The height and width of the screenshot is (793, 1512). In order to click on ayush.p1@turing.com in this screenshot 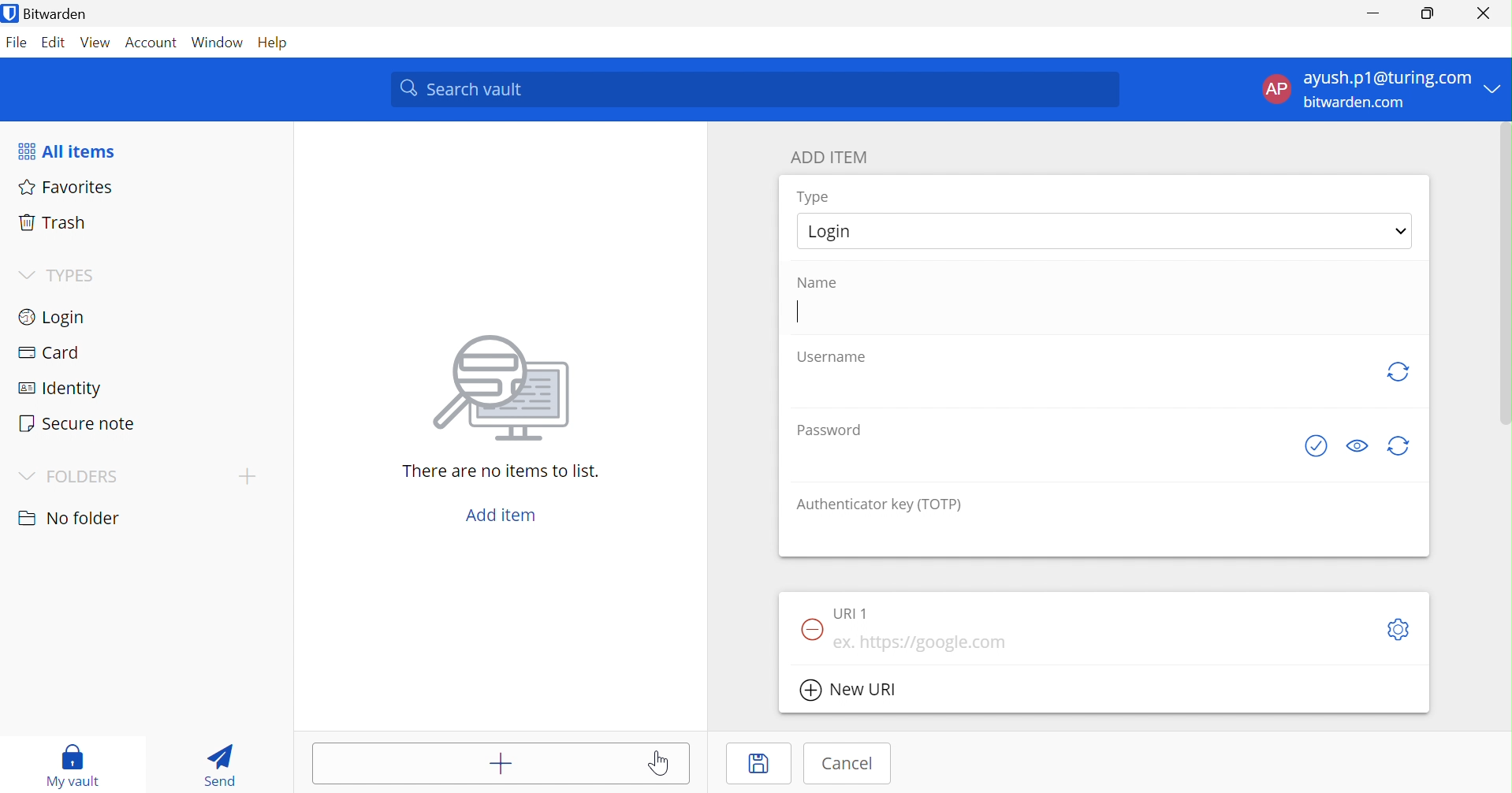, I will do `click(1387, 77)`.